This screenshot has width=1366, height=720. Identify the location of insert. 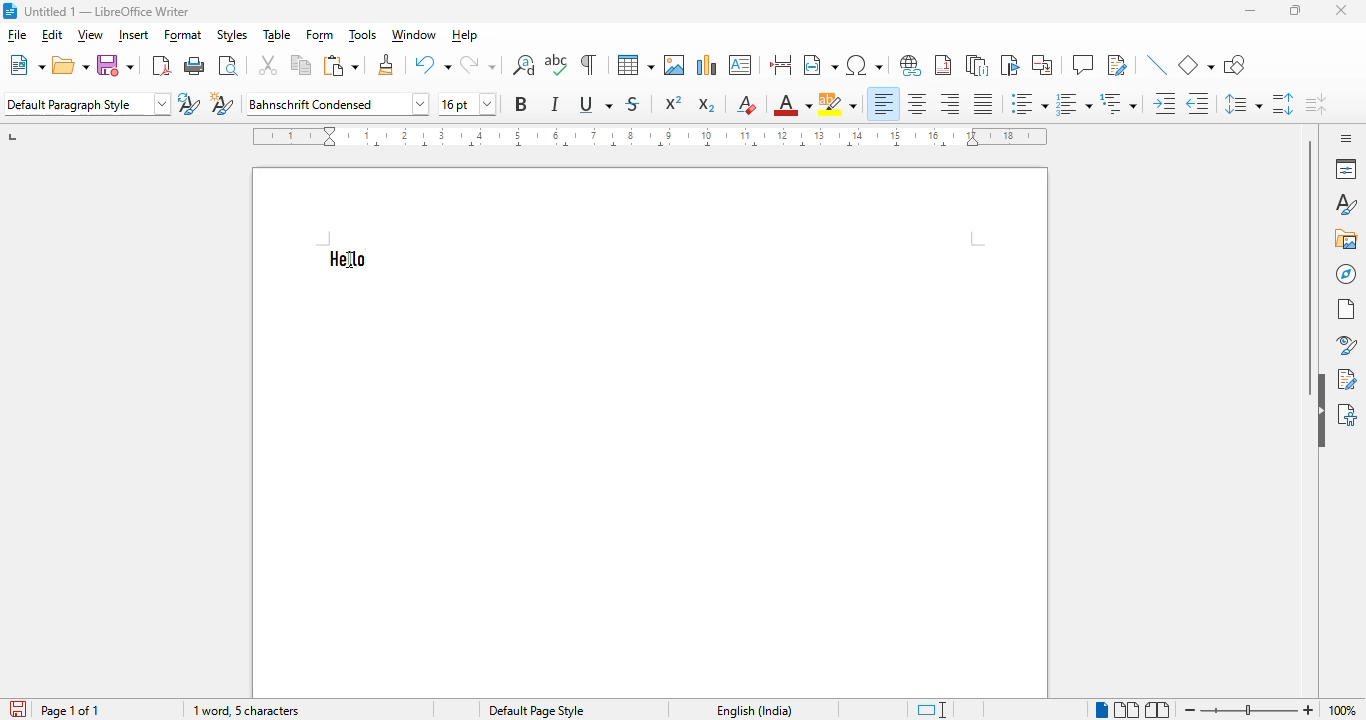
(134, 35).